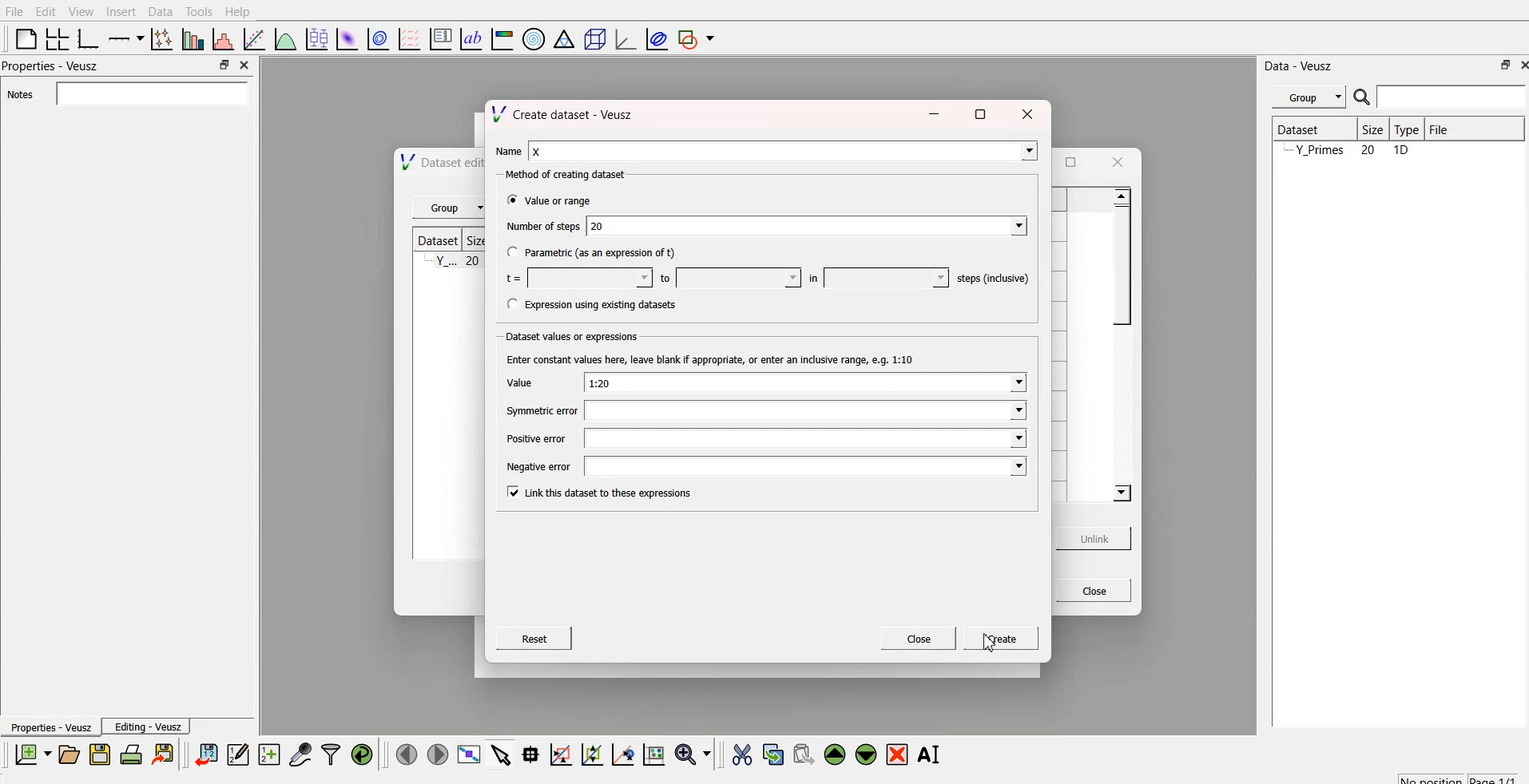 The height and width of the screenshot is (784, 1529). What do you see at coordinates (207, 752) in the screenshot?
I see `import data` at bounding box center [207, 752].